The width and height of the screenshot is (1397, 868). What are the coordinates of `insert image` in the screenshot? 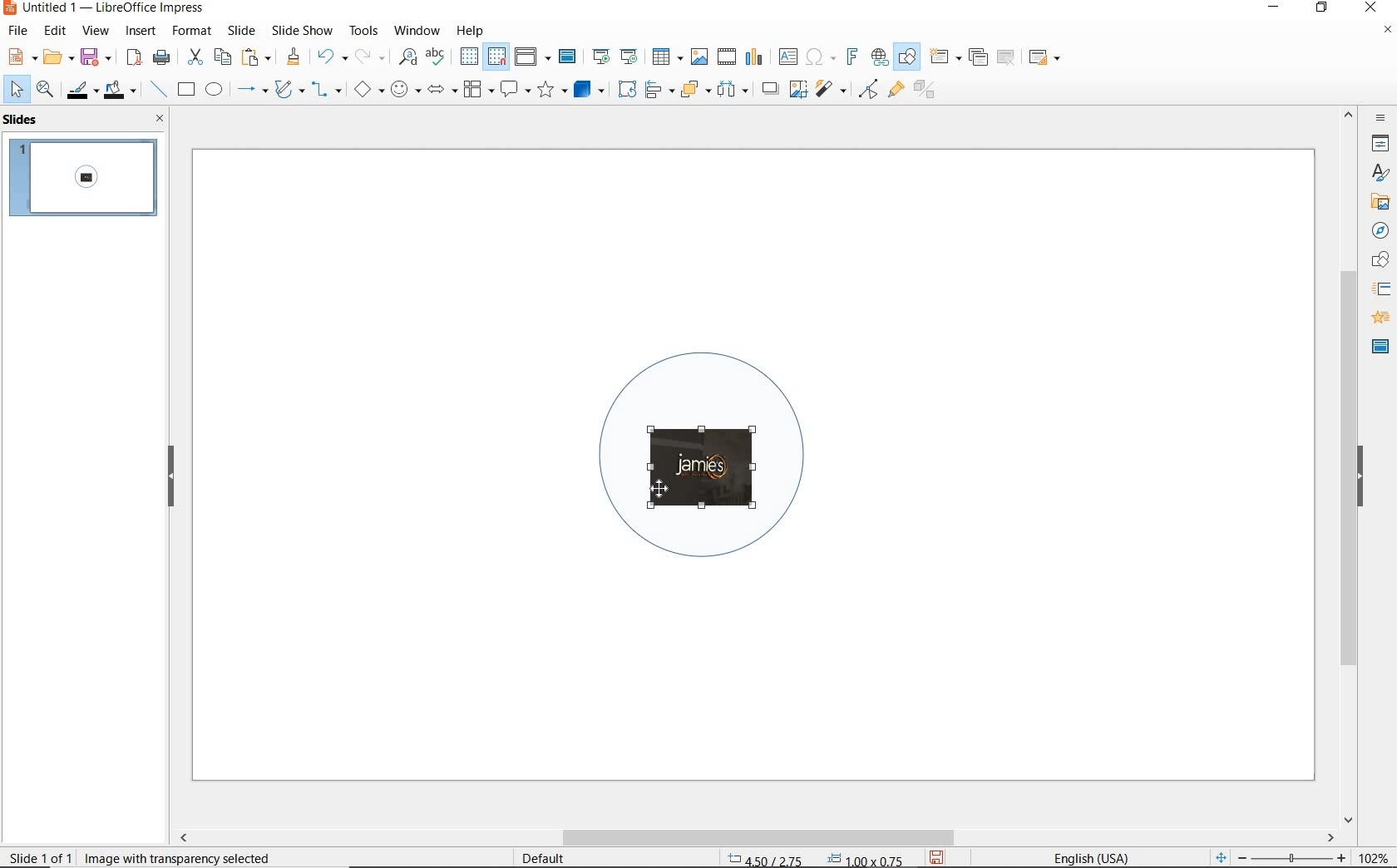 It's located at (698, 57).